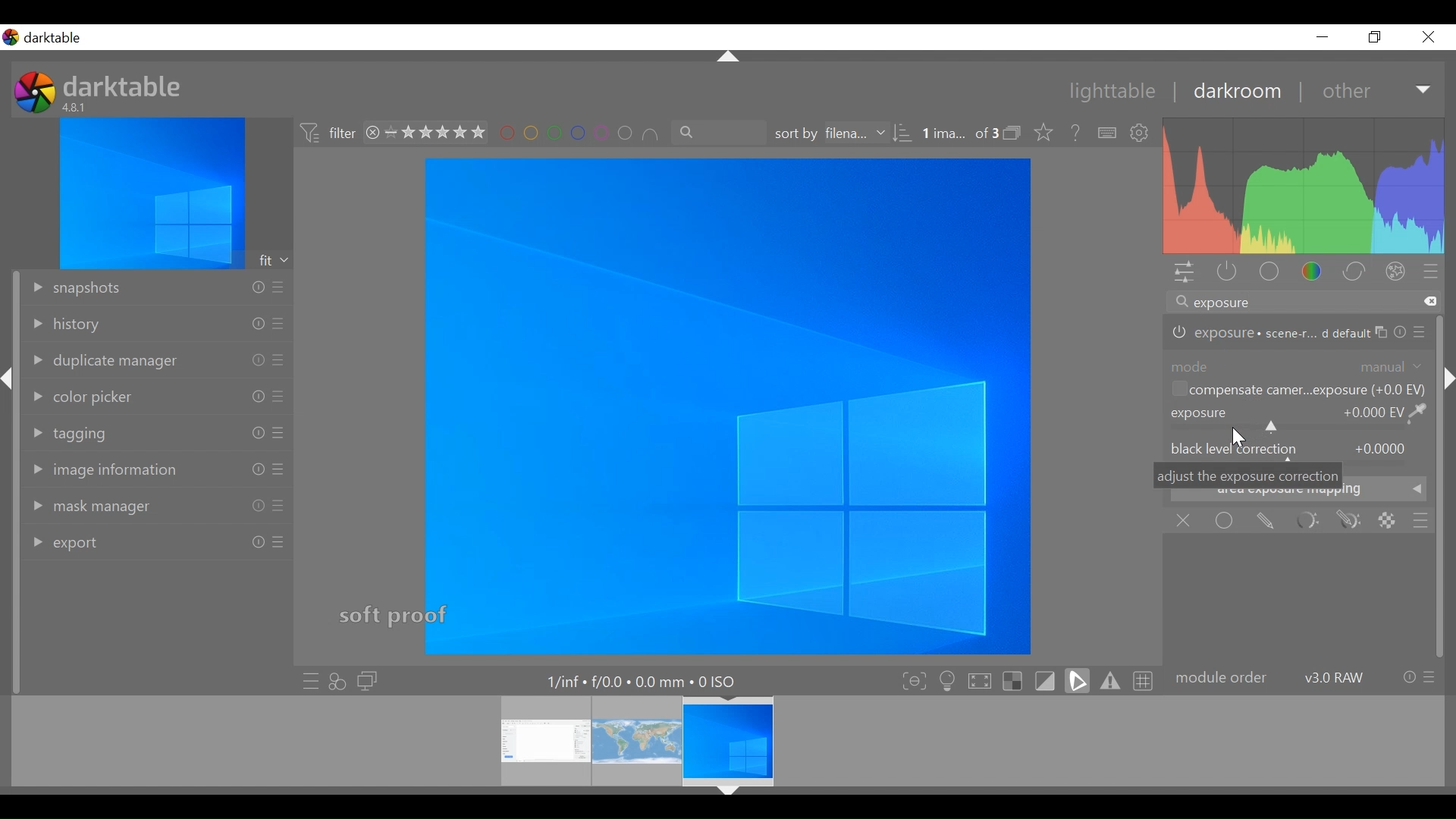 This screenshot has height=819, width=1456. Describe the element at coordinates (257, 360) in the screenshot. I see `info` at that location.